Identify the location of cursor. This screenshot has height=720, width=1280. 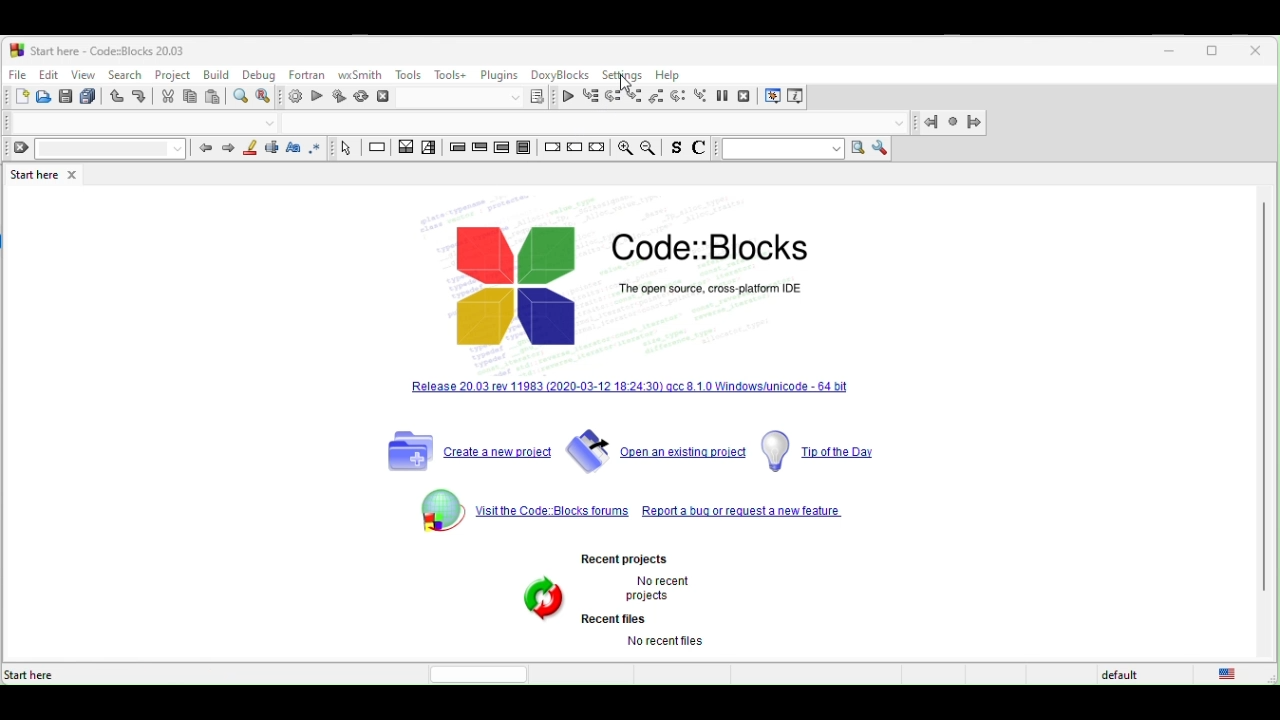
(631, 83).